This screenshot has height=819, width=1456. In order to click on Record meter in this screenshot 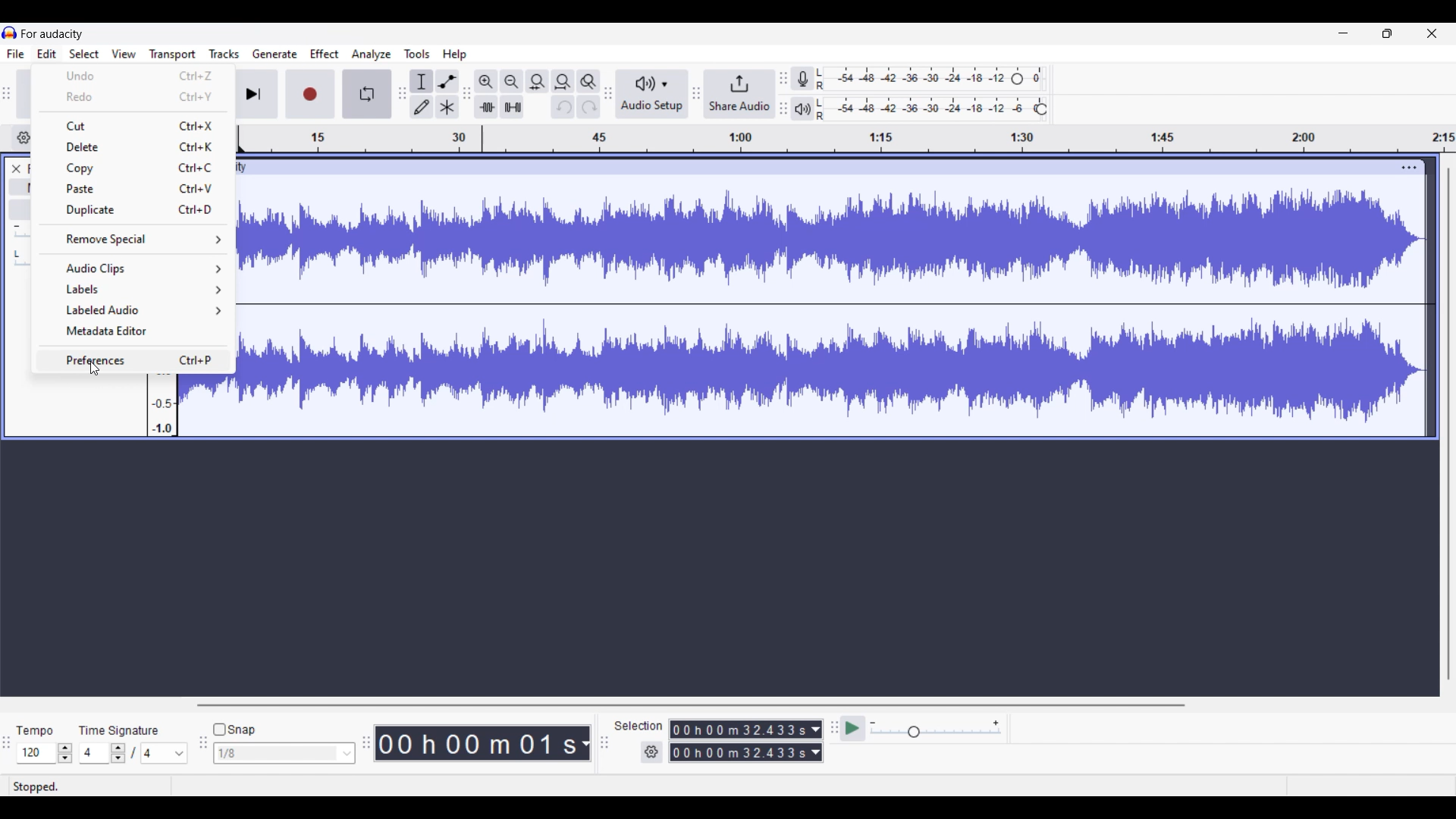, I will do `click(802, 78)`.